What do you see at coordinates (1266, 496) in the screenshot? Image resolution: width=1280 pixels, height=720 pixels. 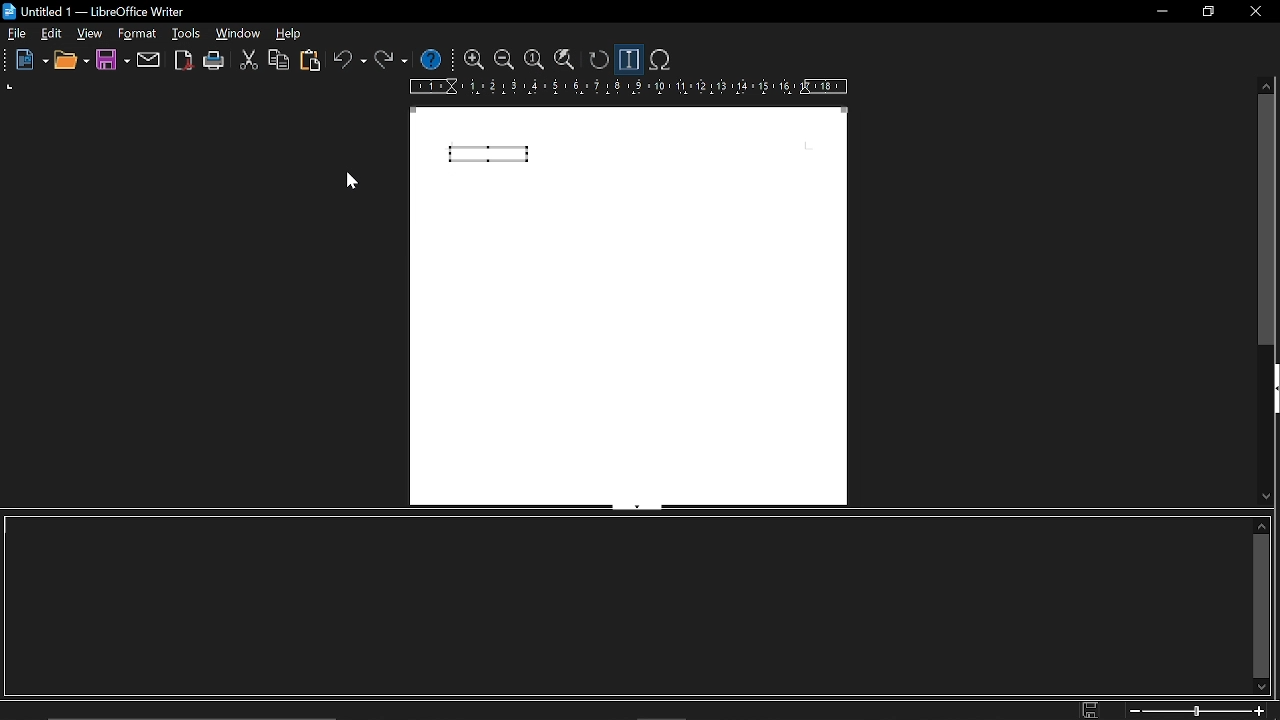 I see `move down` at bounding box center [1266, 496].